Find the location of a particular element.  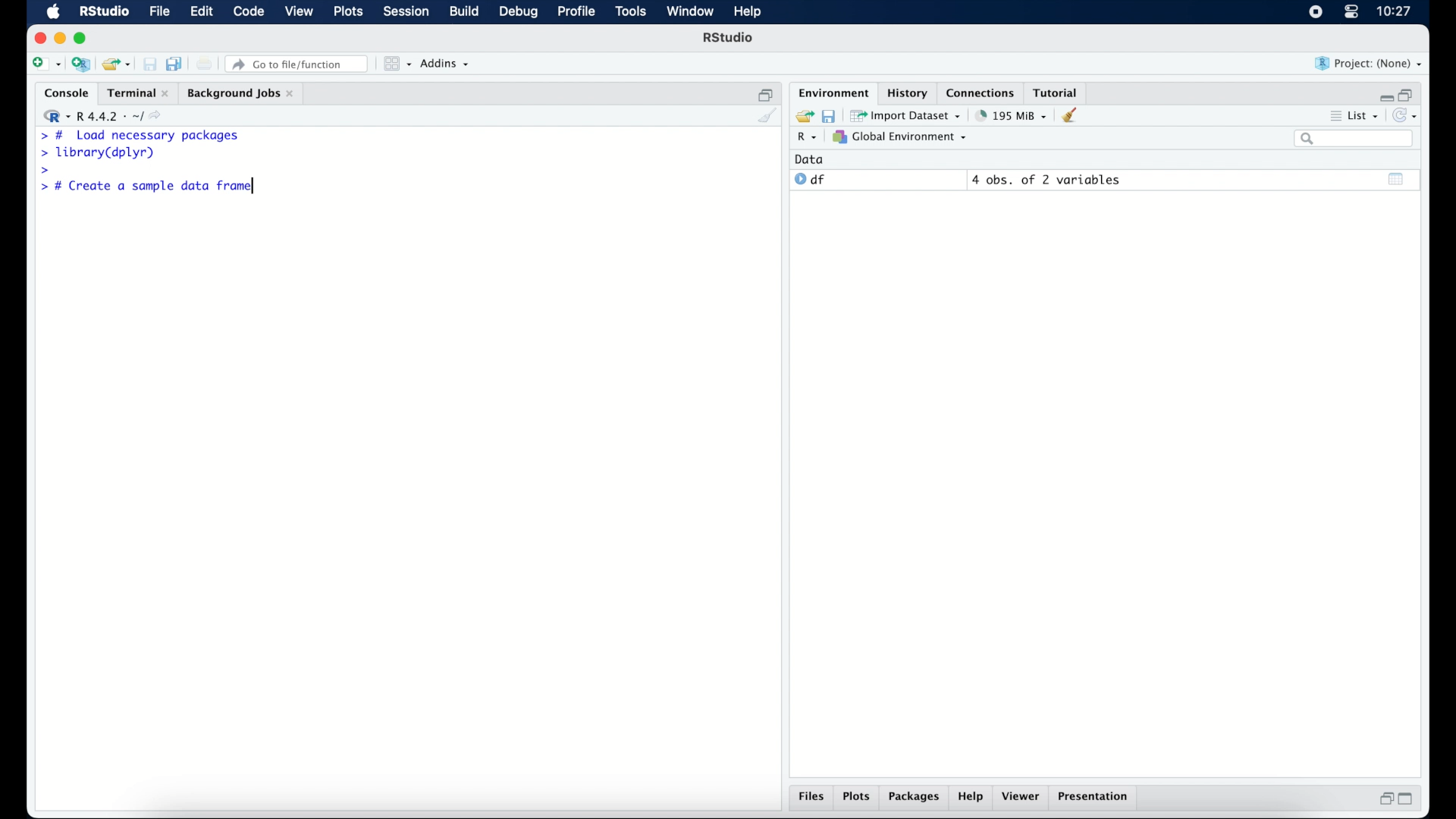

addins is located at coordinates (445, 64).